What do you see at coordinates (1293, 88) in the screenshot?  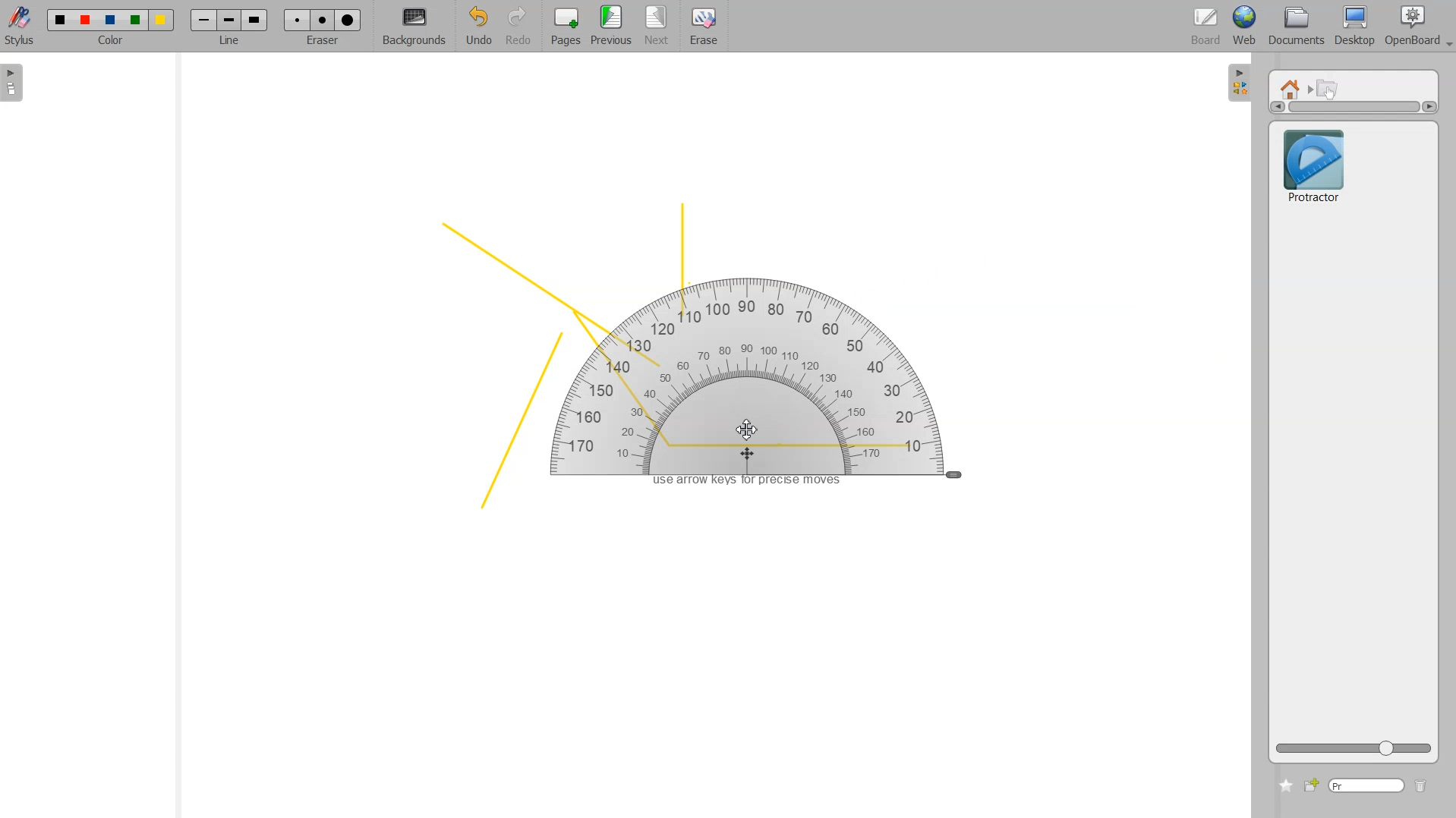 I see `Home` at bounding box center [1293, 88].